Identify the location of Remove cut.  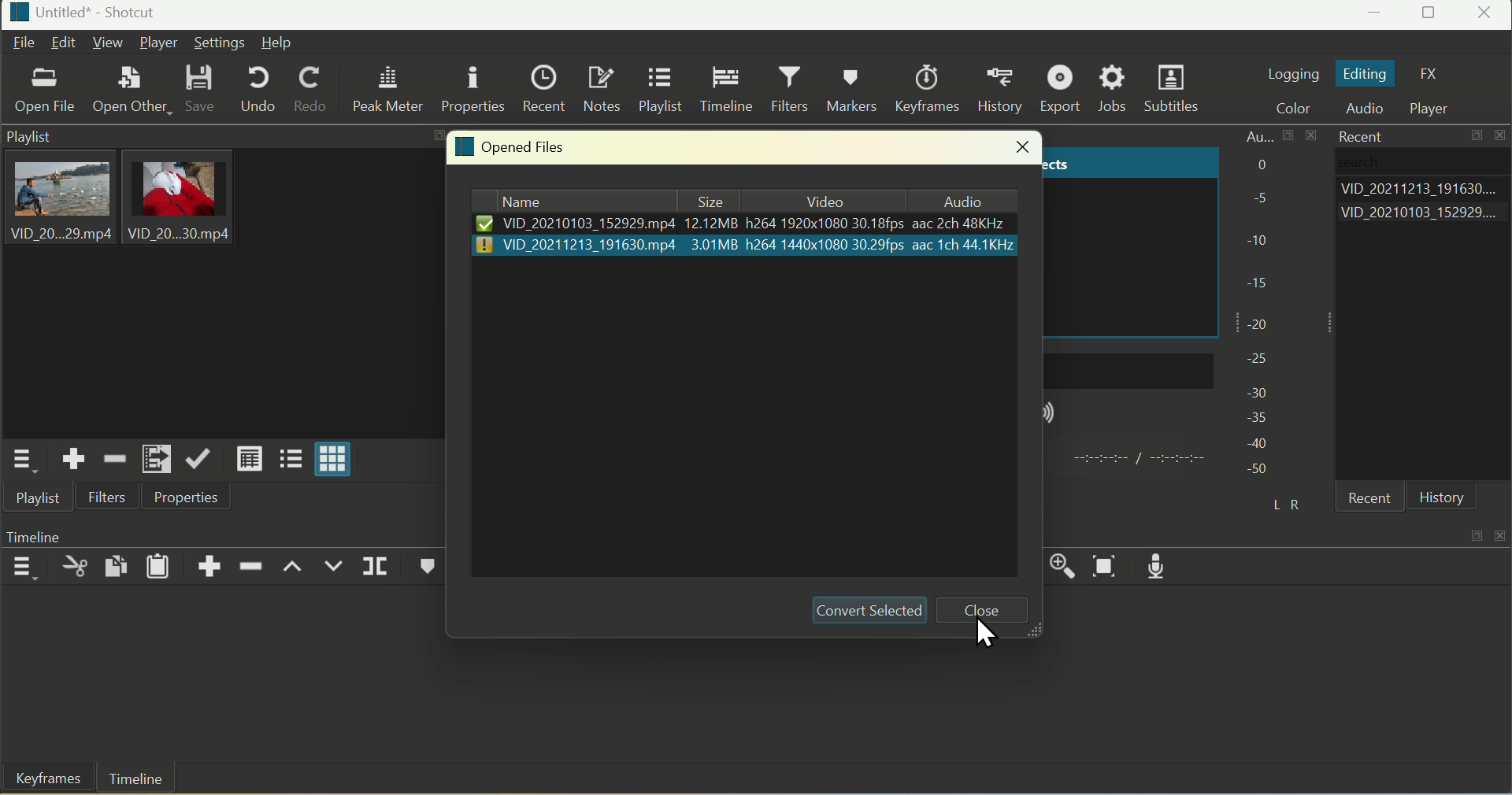
(113, 457).